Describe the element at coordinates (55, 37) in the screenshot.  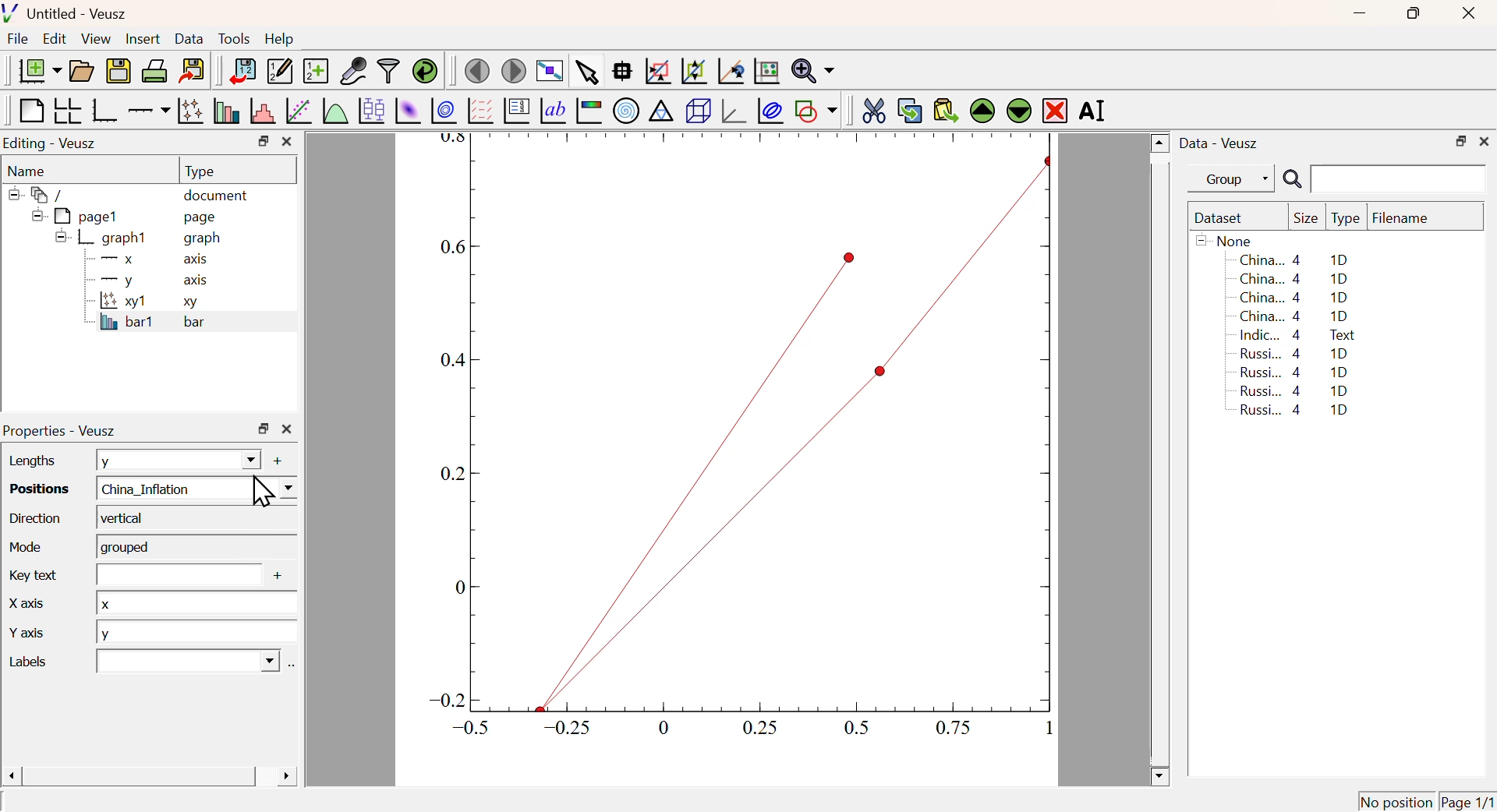
I see `Edit` at that location.